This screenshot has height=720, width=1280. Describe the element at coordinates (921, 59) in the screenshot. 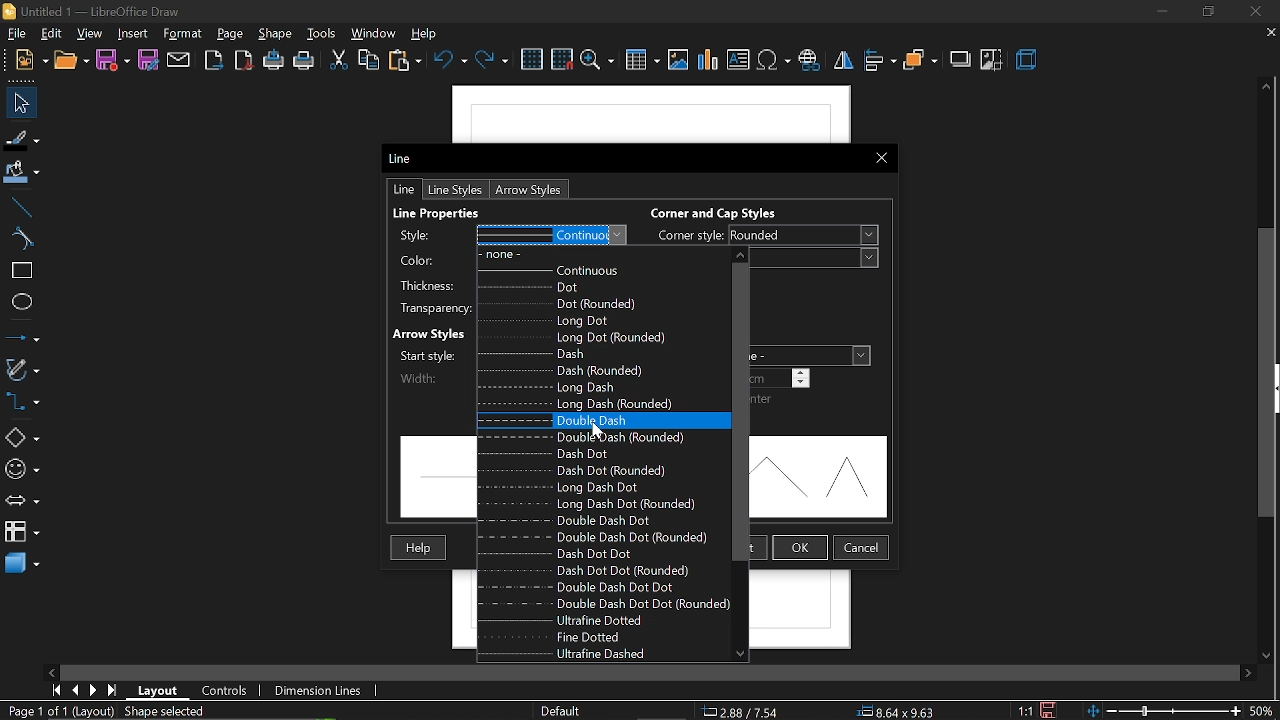

I see `arrange` at that location.